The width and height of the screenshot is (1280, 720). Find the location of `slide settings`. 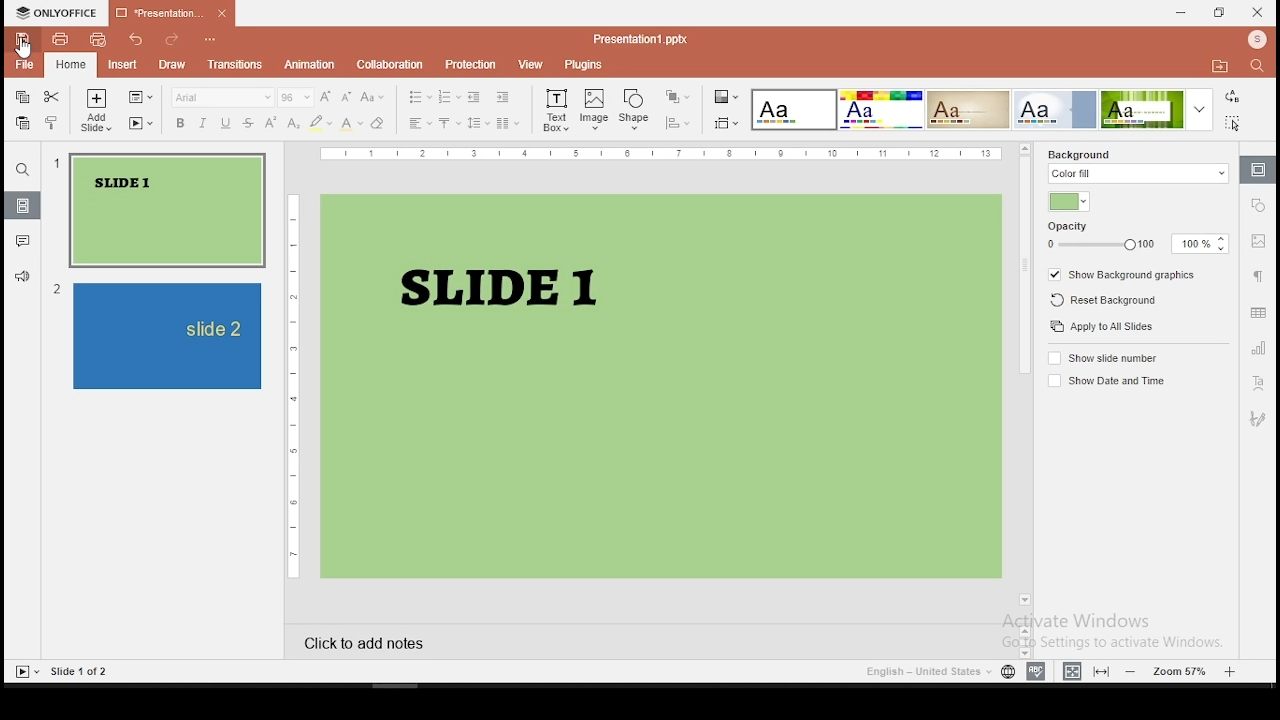

slide settings is located at coordinates (1259, 170).